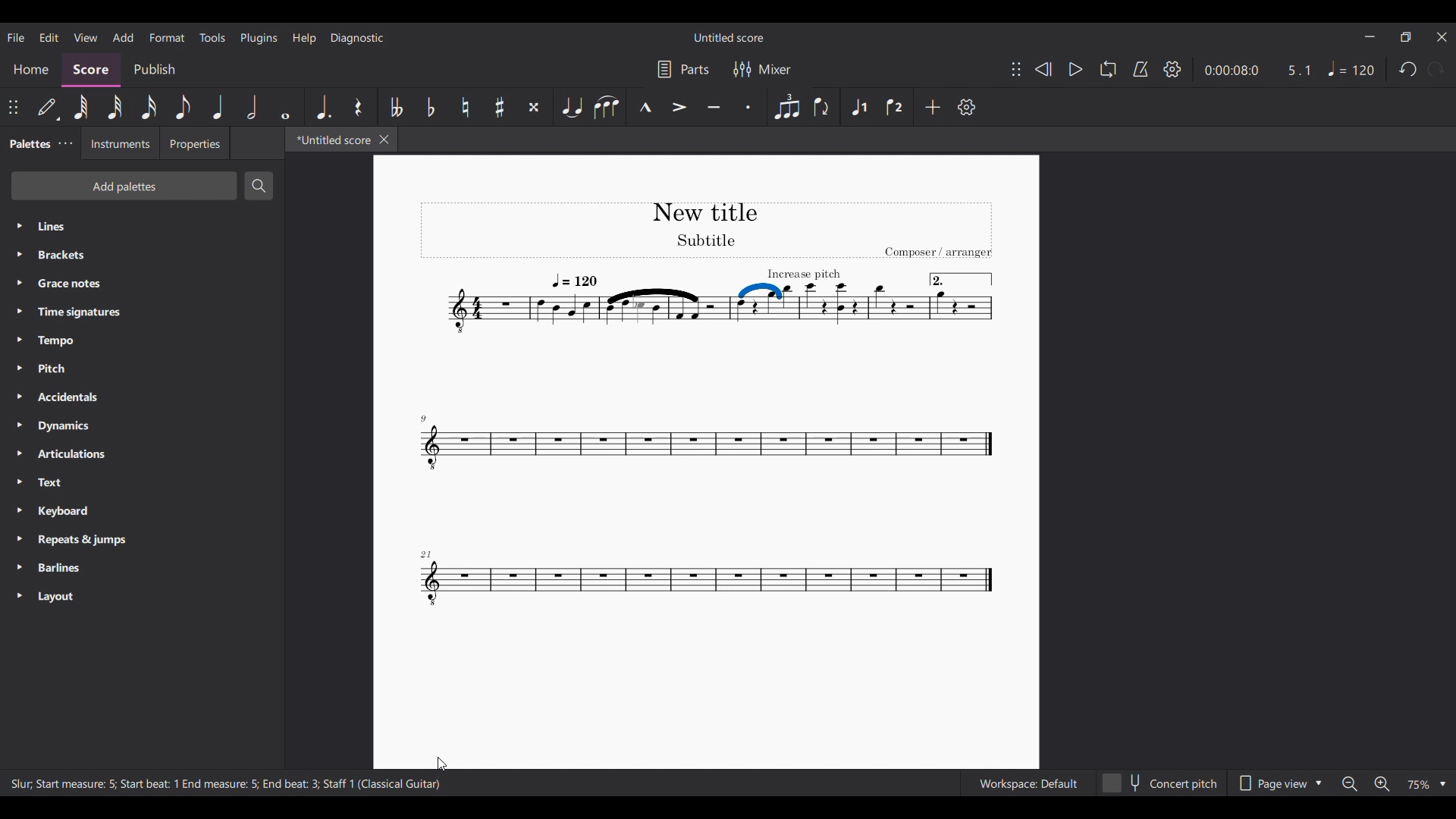  I want to click on Text, so click(142, 482).